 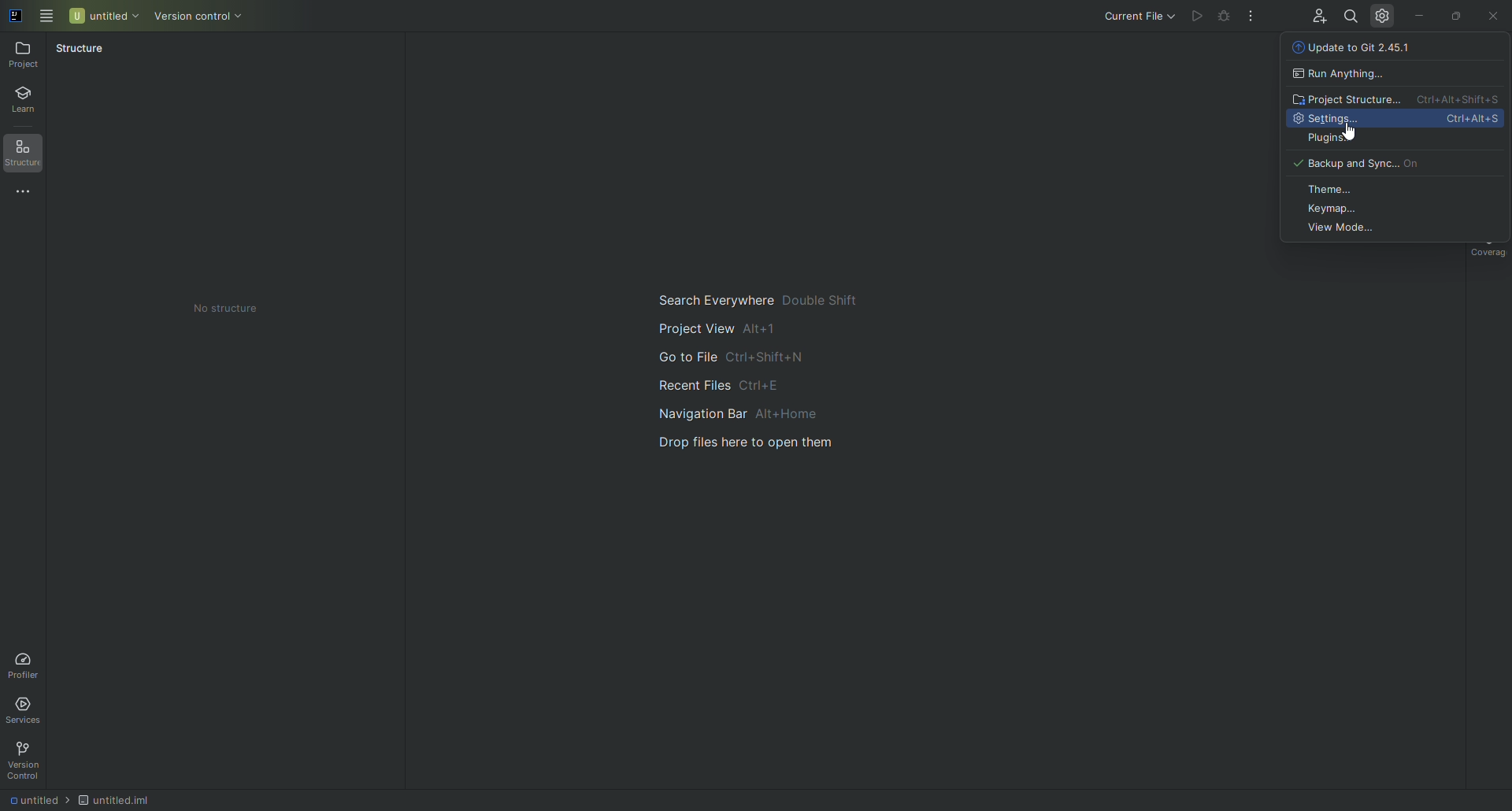 What do you see at coordinates (1351, 17) in the screenshot?
I see `Search` at bounding box center [1351, 17].